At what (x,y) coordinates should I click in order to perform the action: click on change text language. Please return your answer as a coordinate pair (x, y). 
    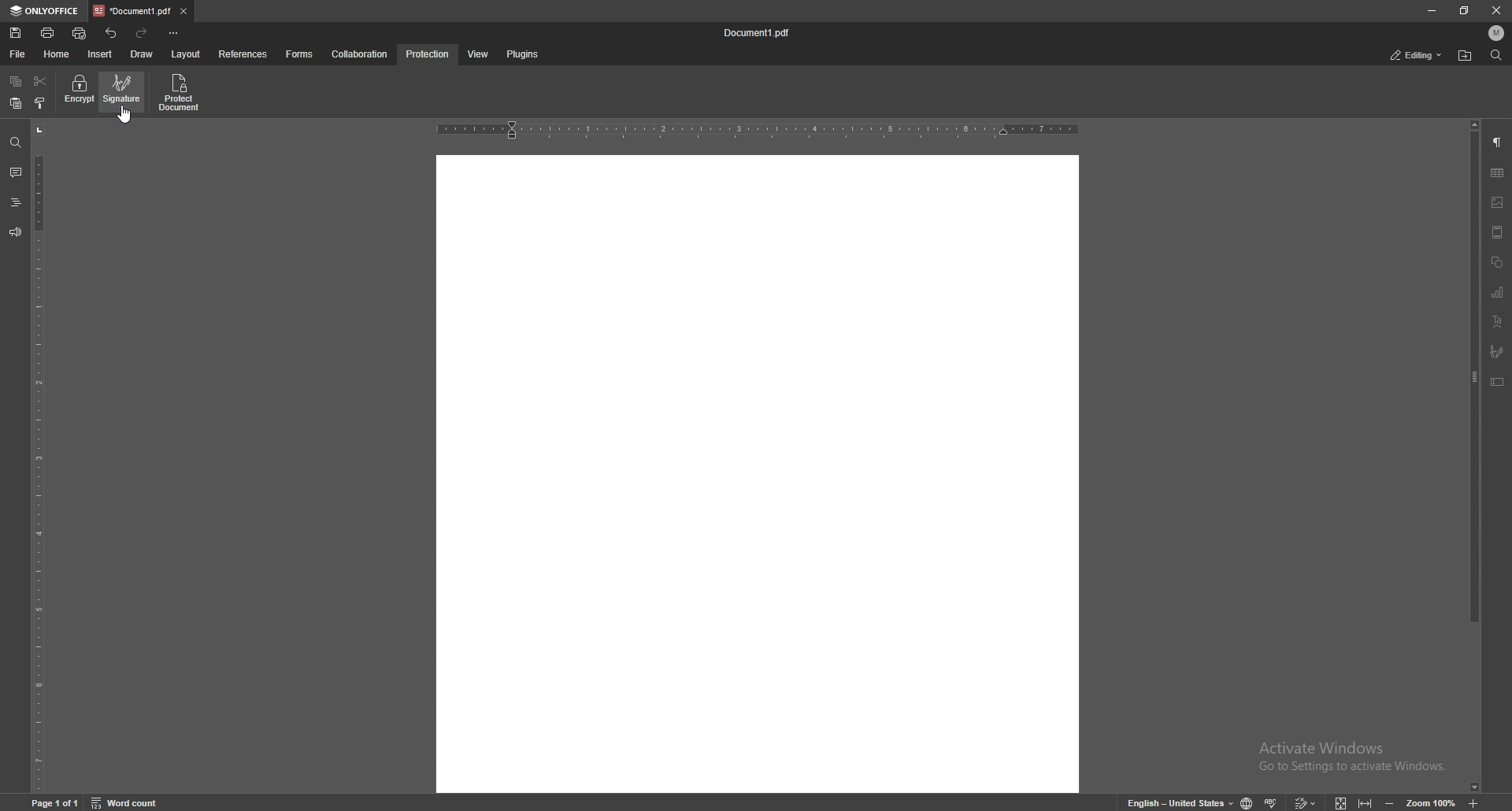
    Looking at the image, I should click on (1174, 802).